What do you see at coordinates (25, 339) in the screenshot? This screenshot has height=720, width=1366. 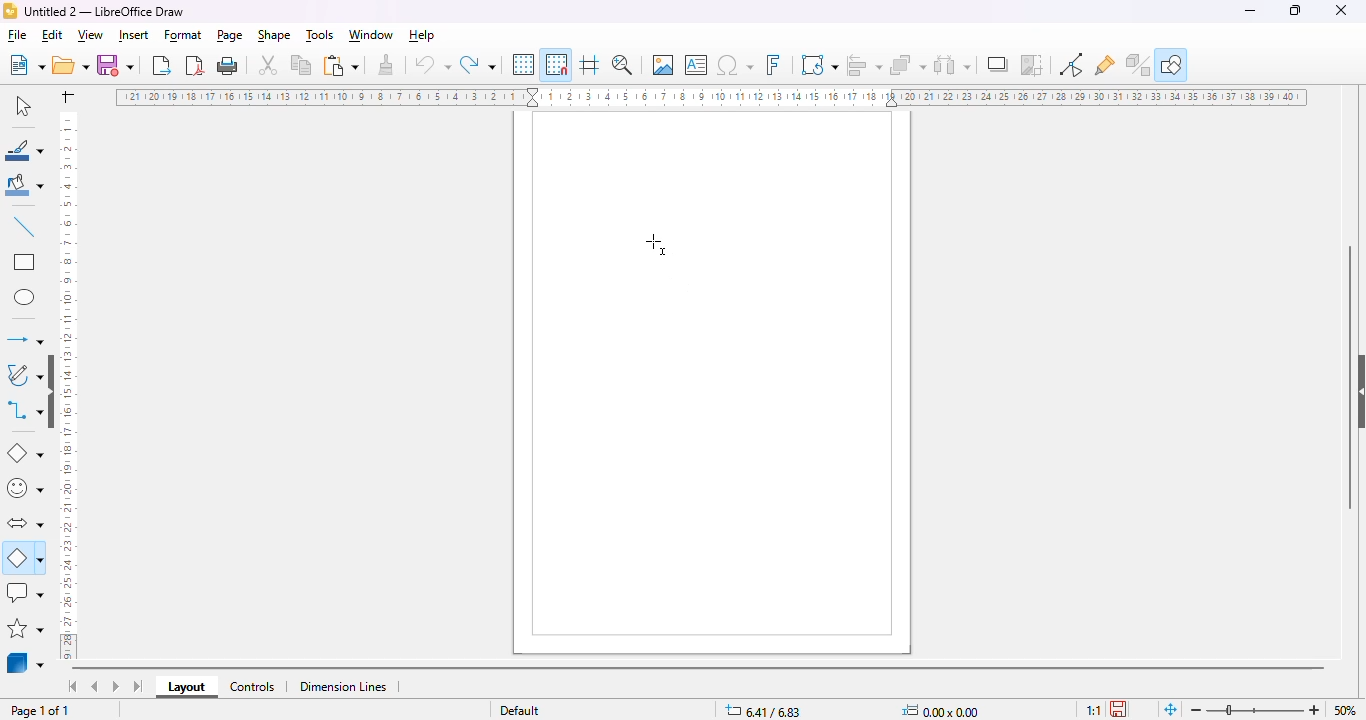 I see `lines and arrows` at bounding box center [25, 339].